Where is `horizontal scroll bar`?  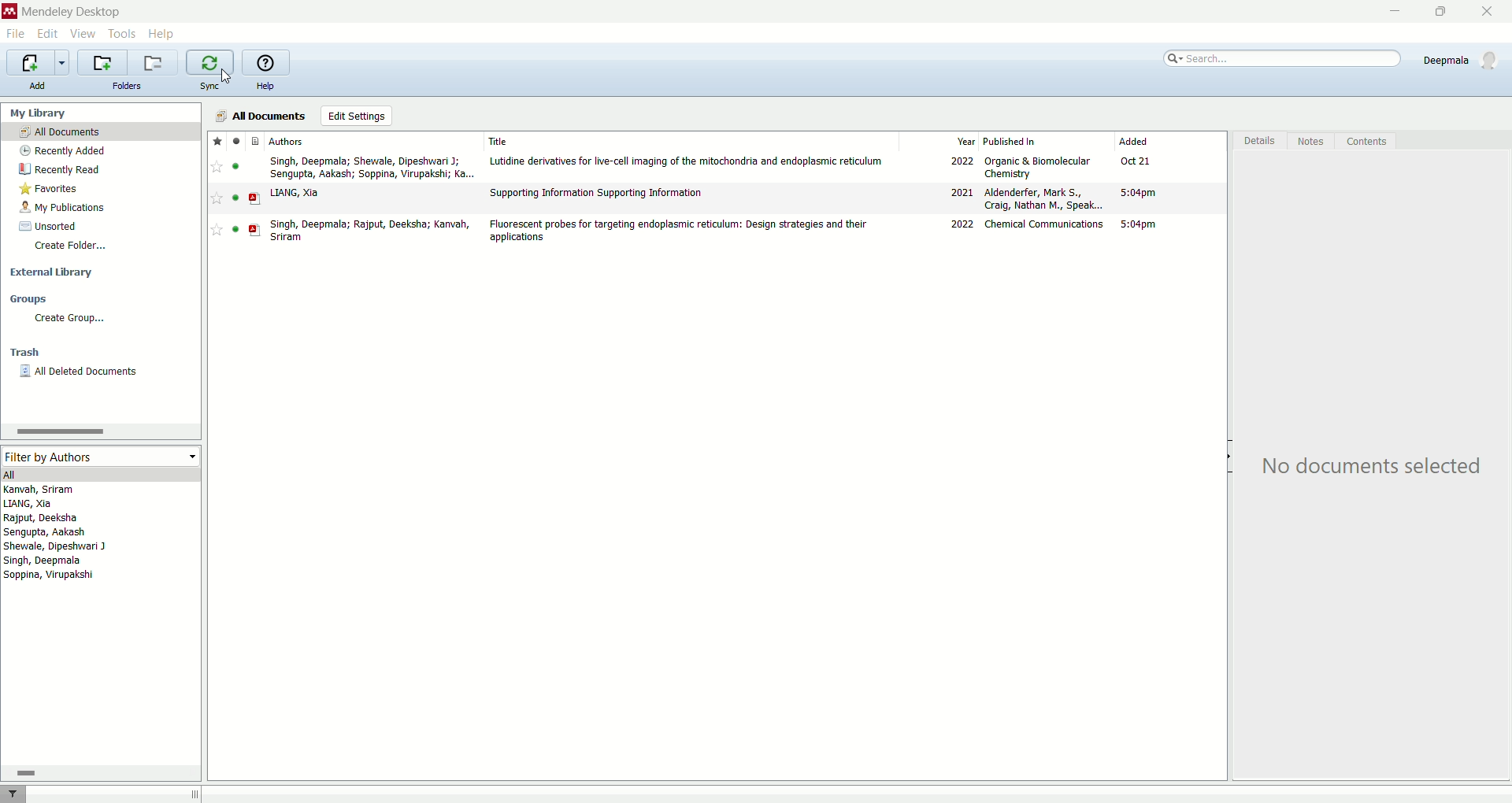
horizontal scroll bar is located at coordinates (100, 773).